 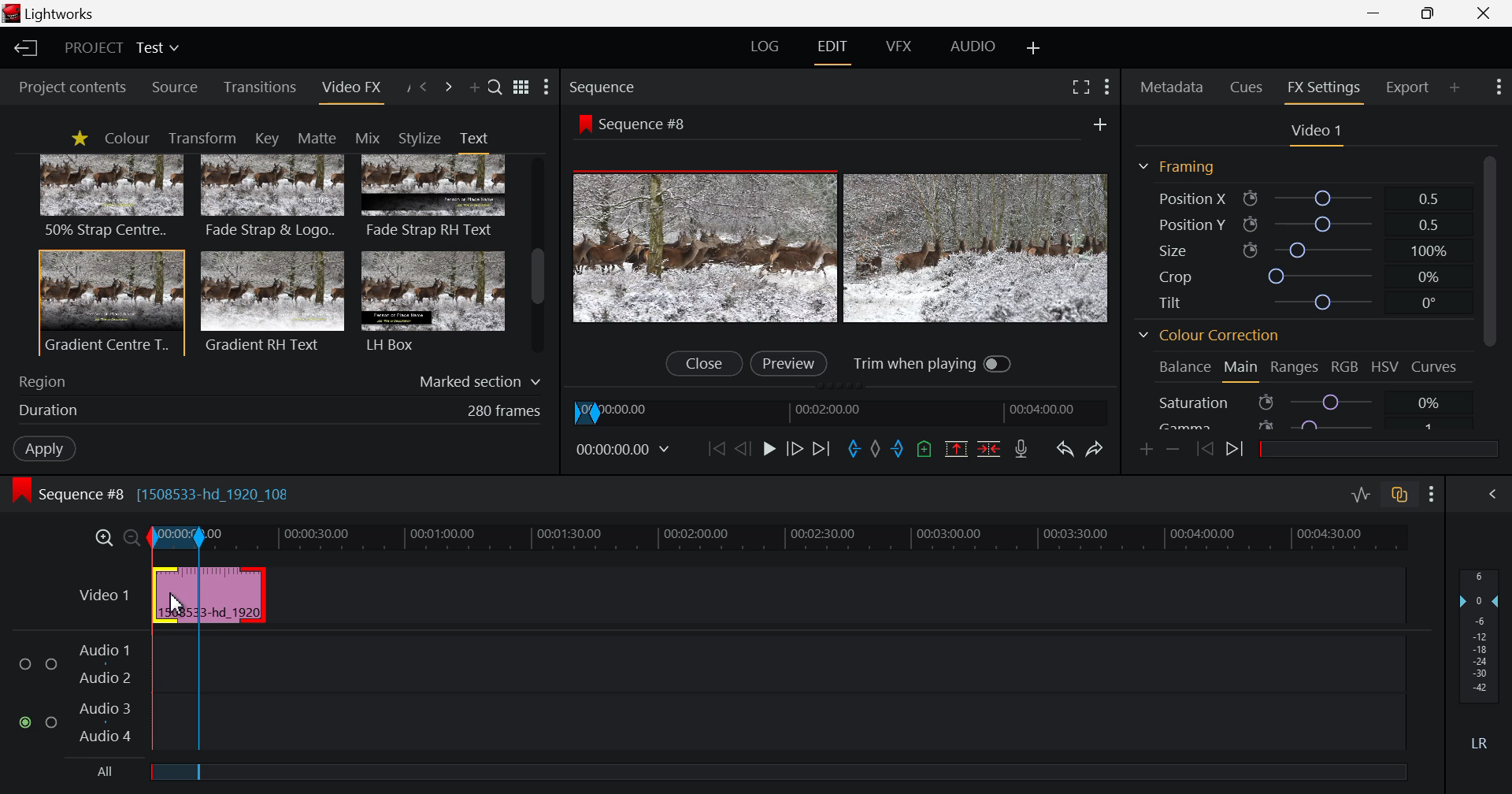 What do you see at coordinates (176, 606) in the screenshot?
I see `cursor` at bounding box center [176, 606].